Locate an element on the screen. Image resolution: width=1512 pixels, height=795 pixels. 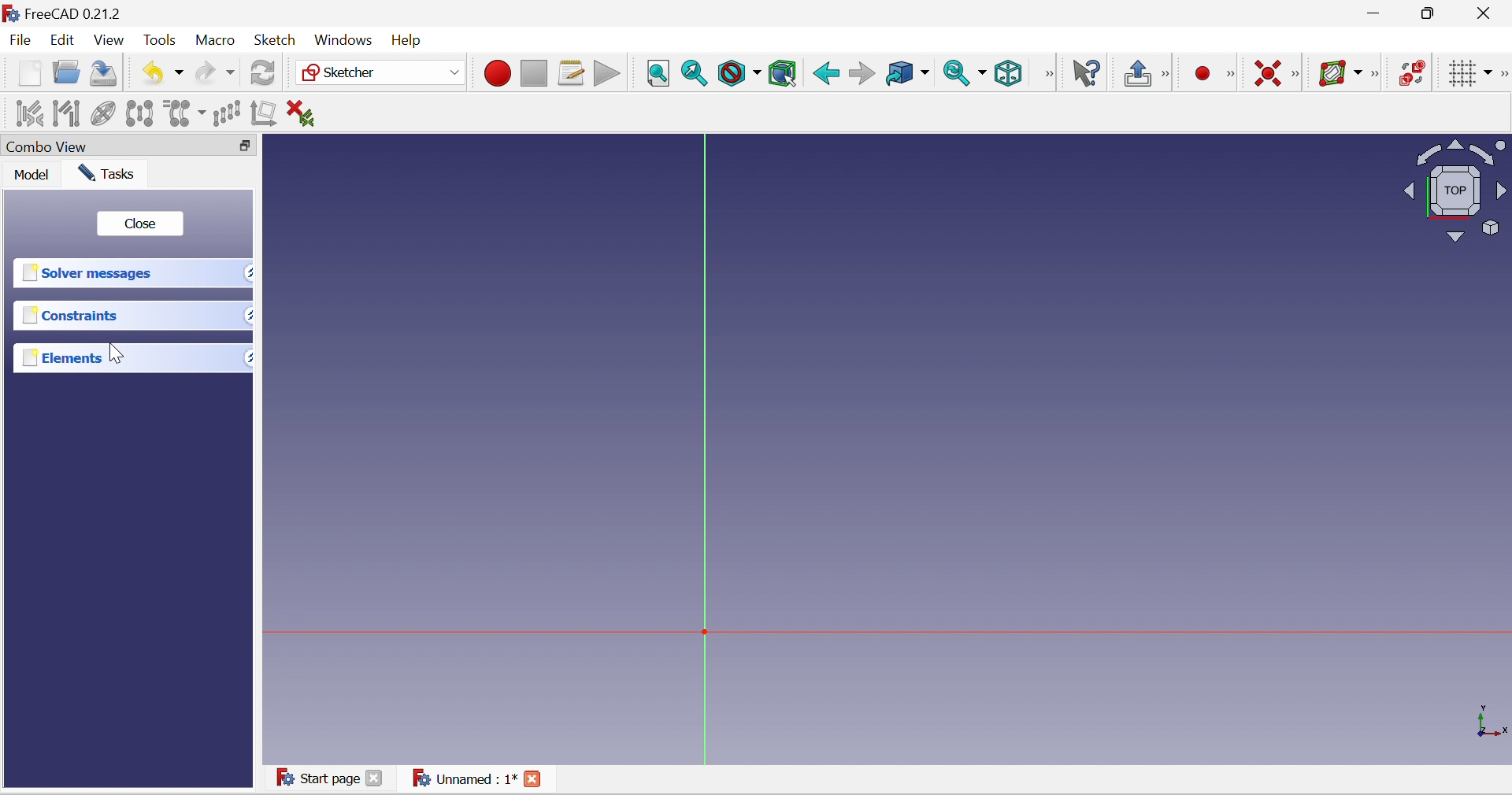
Sketch is located at coordinates (275, 42).